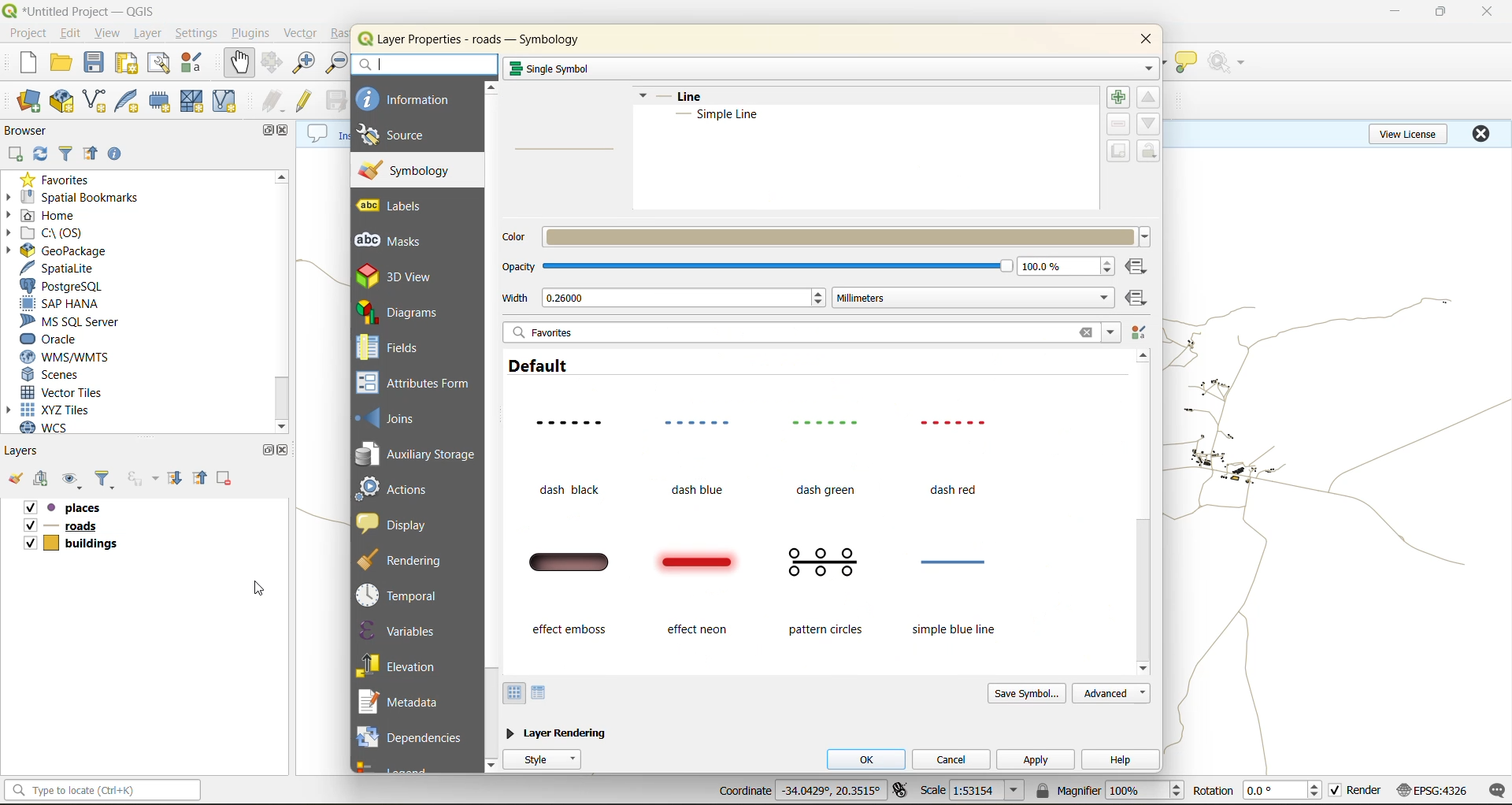  What do you see at coordinates (954, 759) in the screenshot?
I see `cancel` at bounding box center [954, 759].